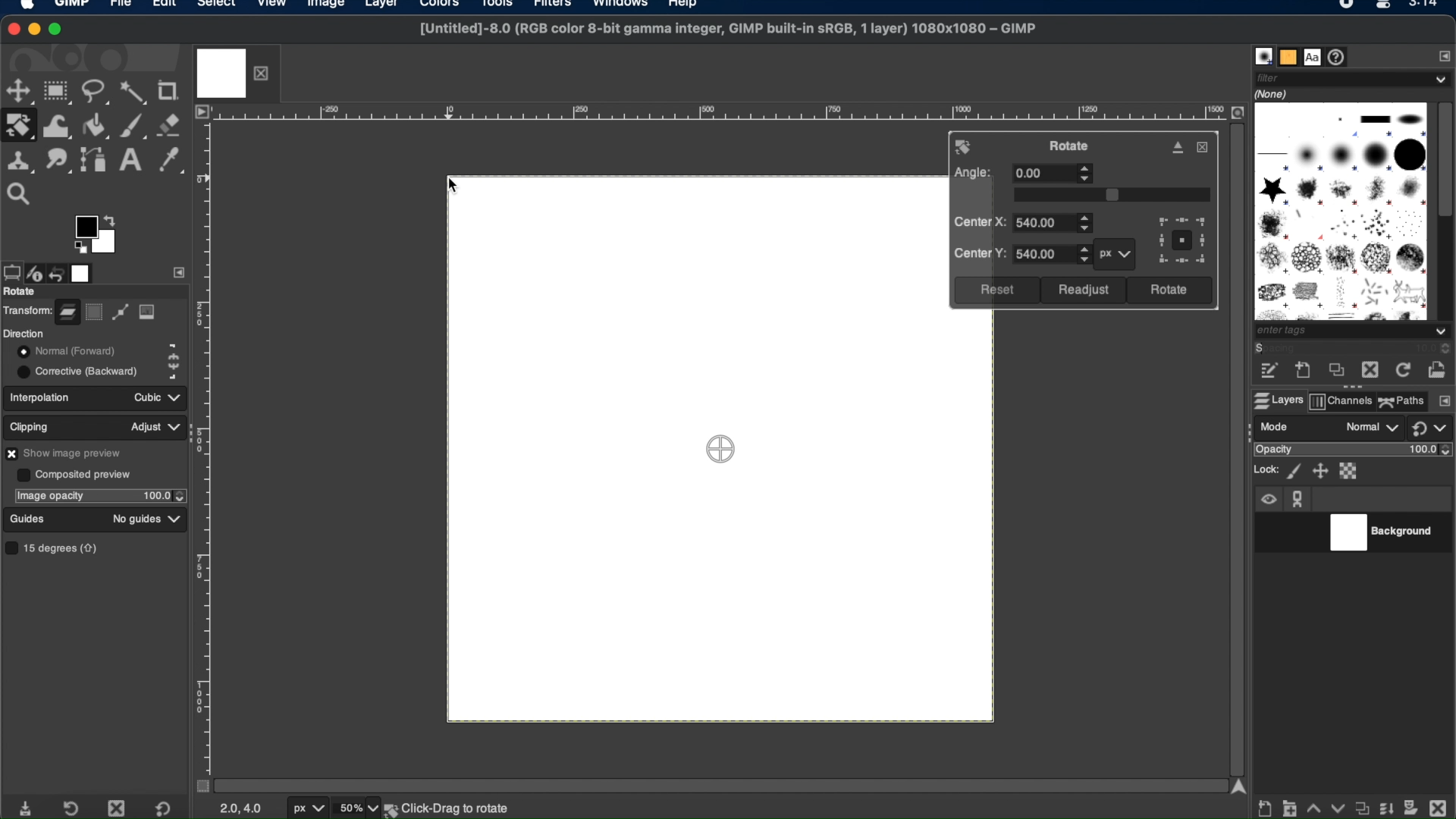 This screenshot has height=819, width=1456. I want to click on configure this tab, so click(1444, 402).